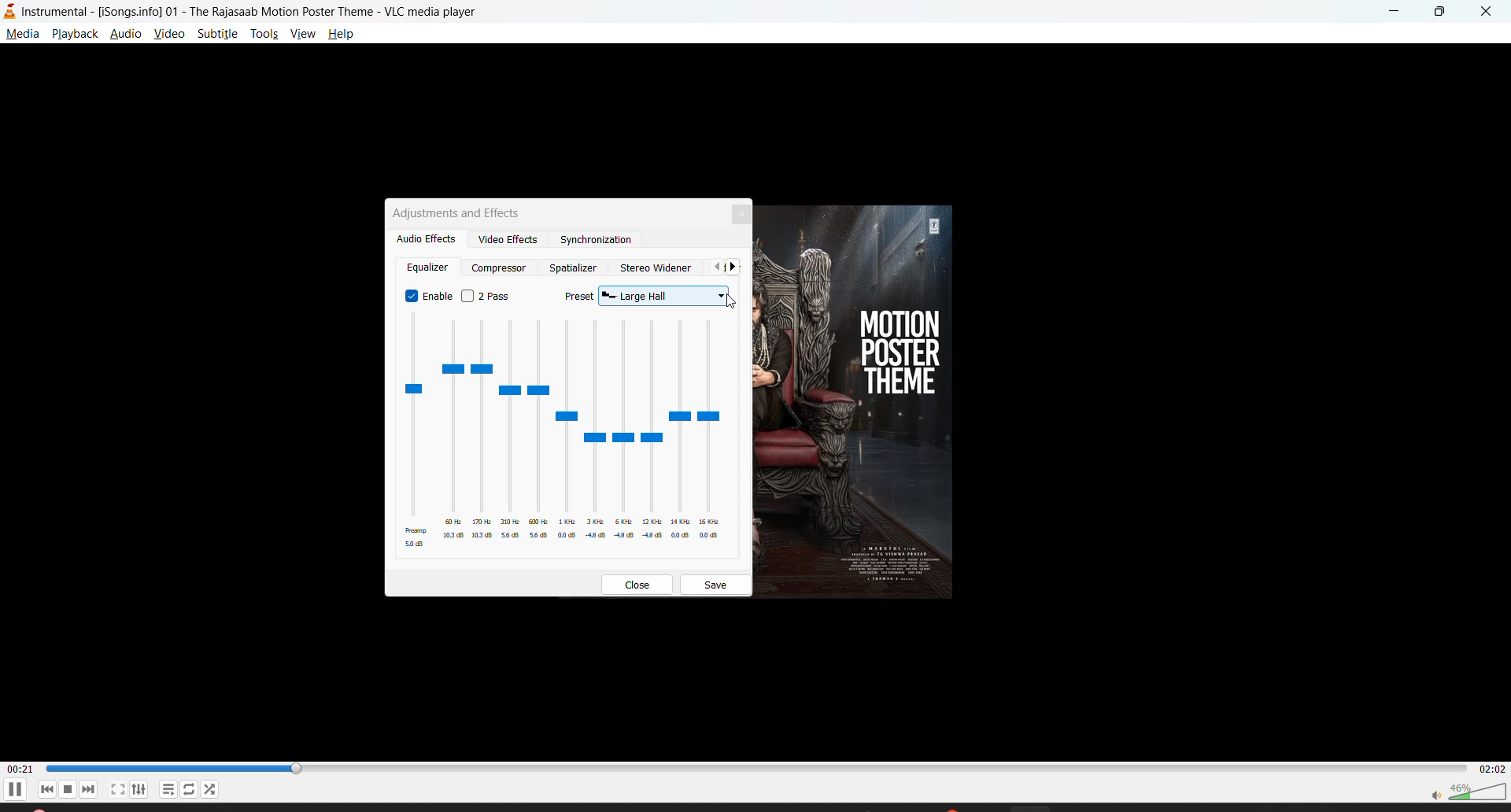 The width and height of the screenshot is (1511, 812). Describe the element at coordinates (427, 239) in the screenshot. I see `audio effects` at that location.